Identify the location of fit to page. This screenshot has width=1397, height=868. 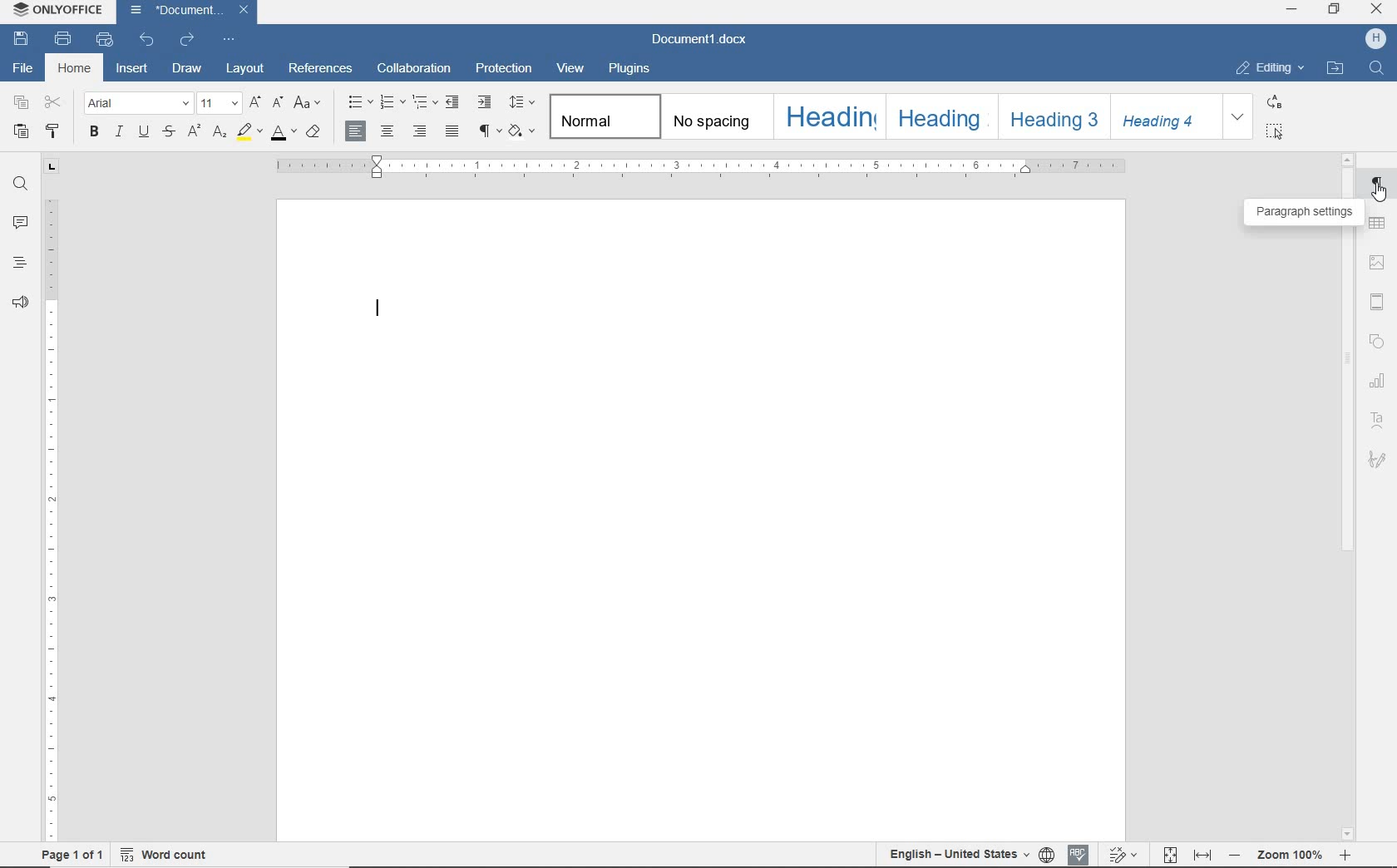
(1169, 854).